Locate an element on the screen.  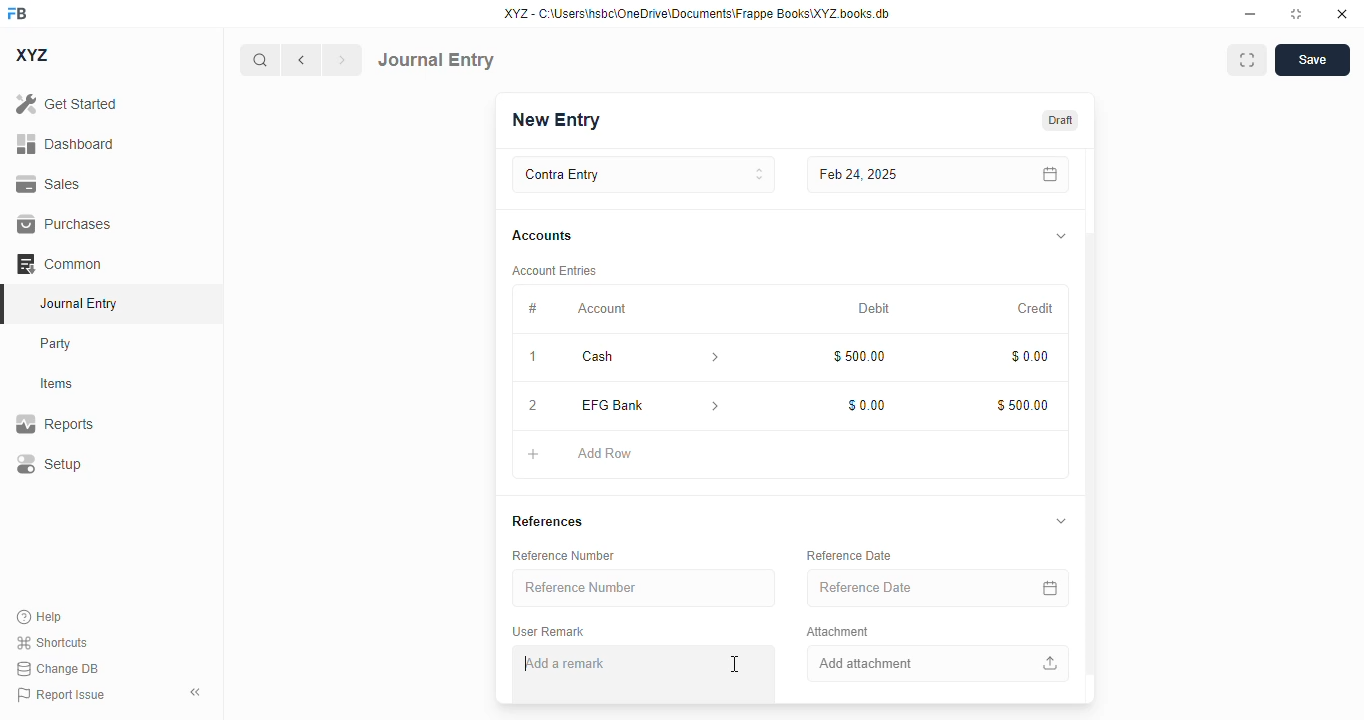
$500.00  is located at coordinates (858, 356).